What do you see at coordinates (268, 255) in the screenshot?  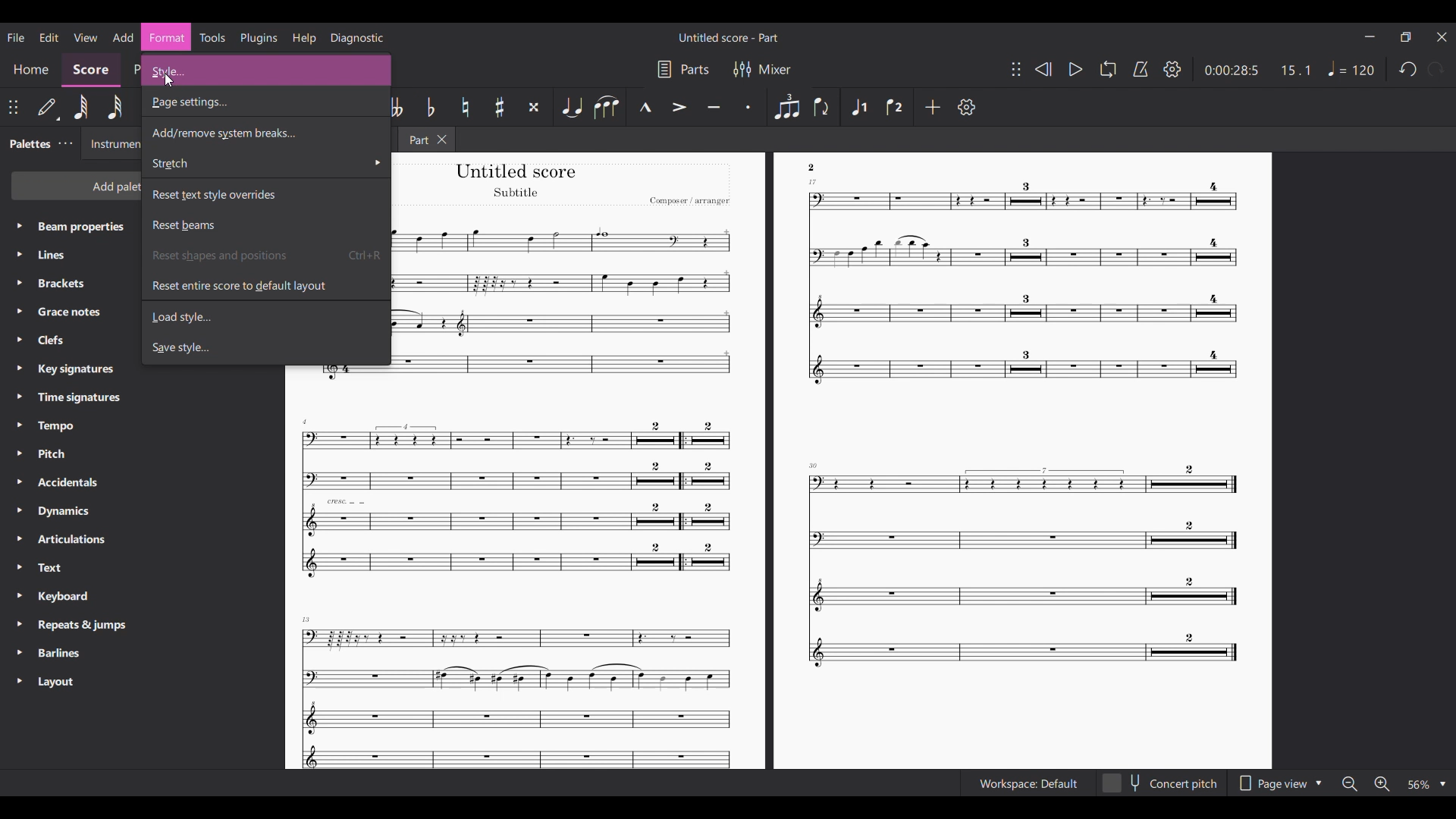 I see `Reset shapes and position` at bounding box center [268, 255].